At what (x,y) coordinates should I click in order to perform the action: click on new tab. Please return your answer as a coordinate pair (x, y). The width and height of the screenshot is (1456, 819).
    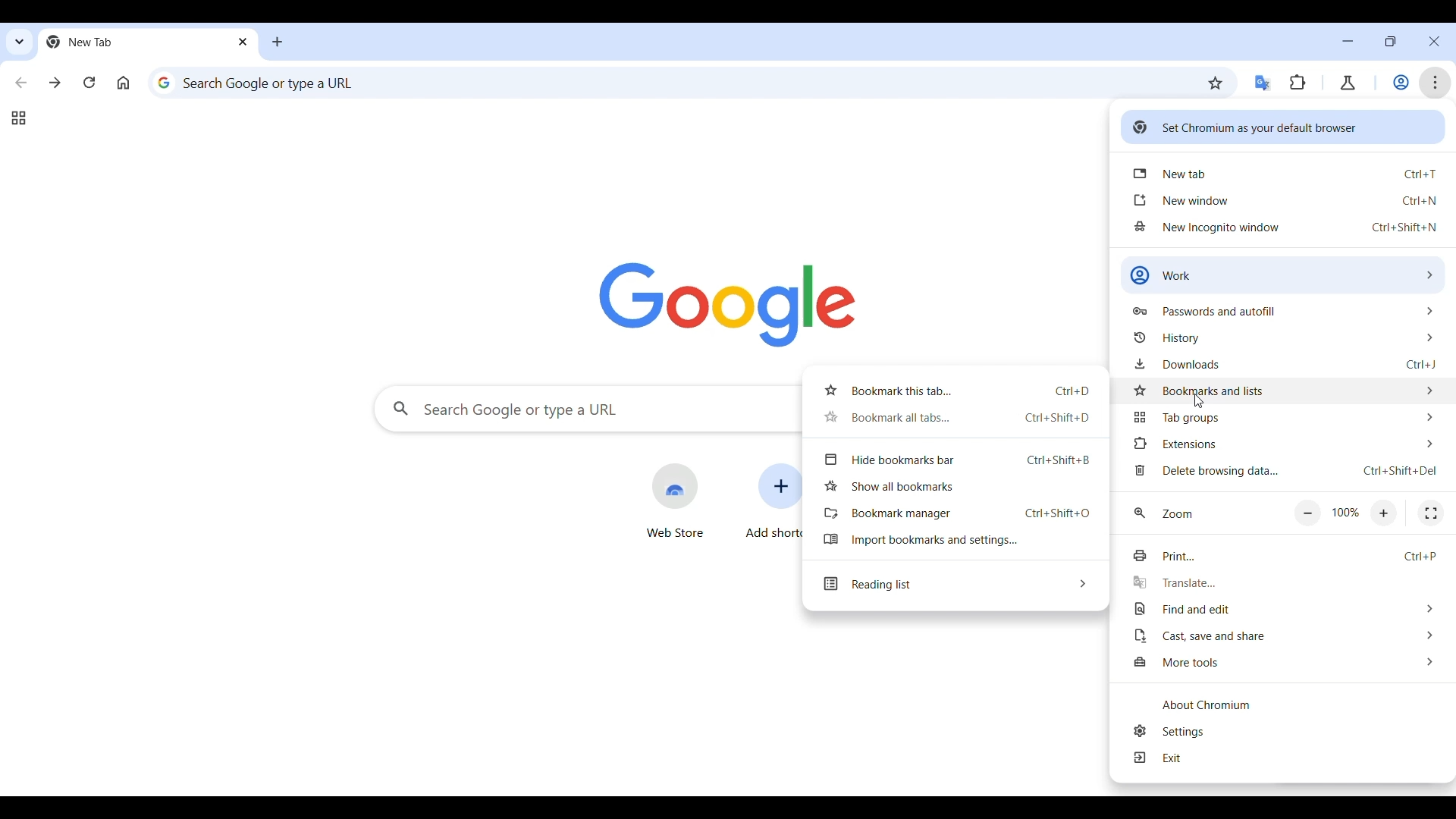
    Looking at the image, I should click on (1285, 172).